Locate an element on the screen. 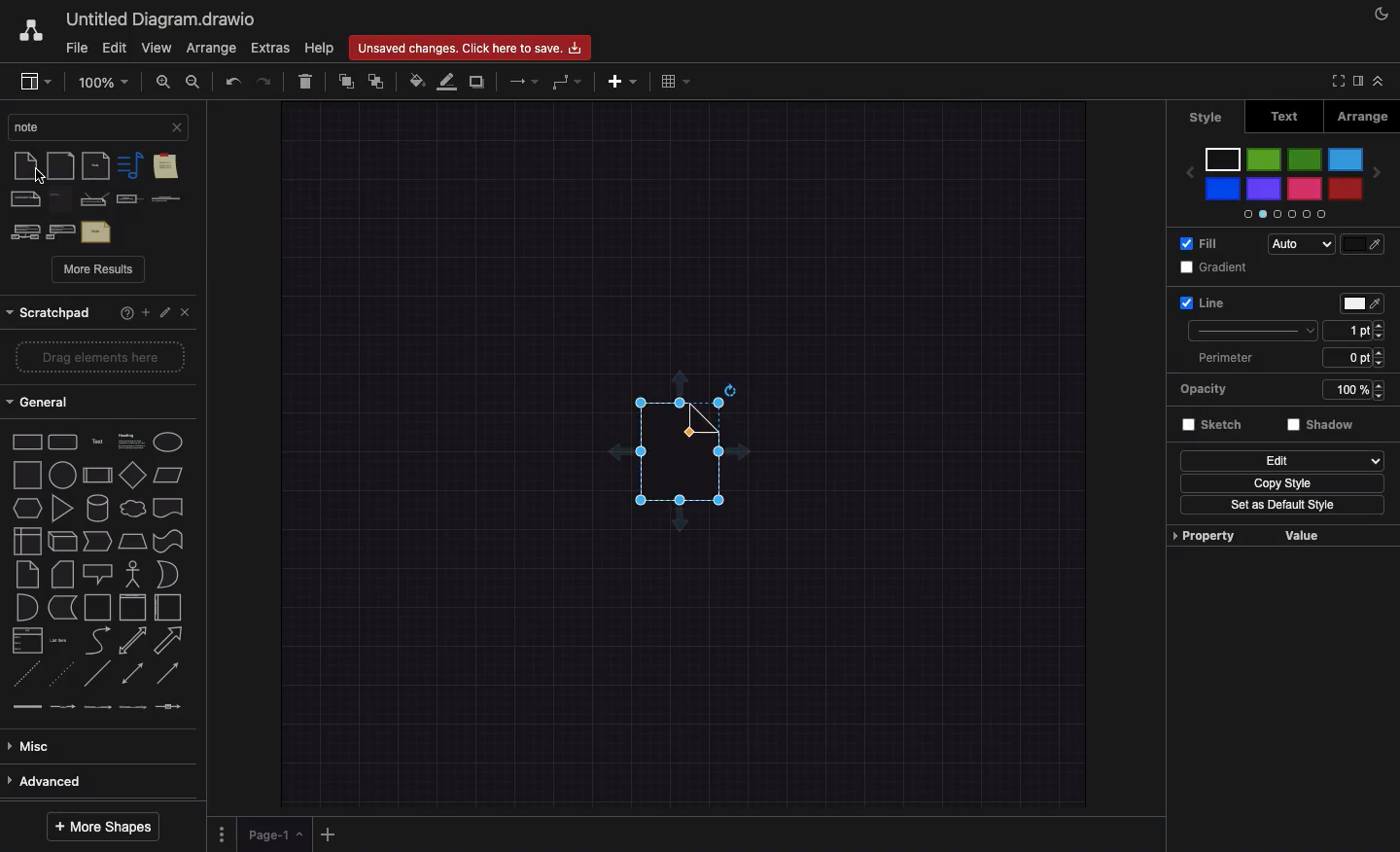 The height and width of the screenshot is (852, 1400). directional connector is located at coordinates (171, 675).